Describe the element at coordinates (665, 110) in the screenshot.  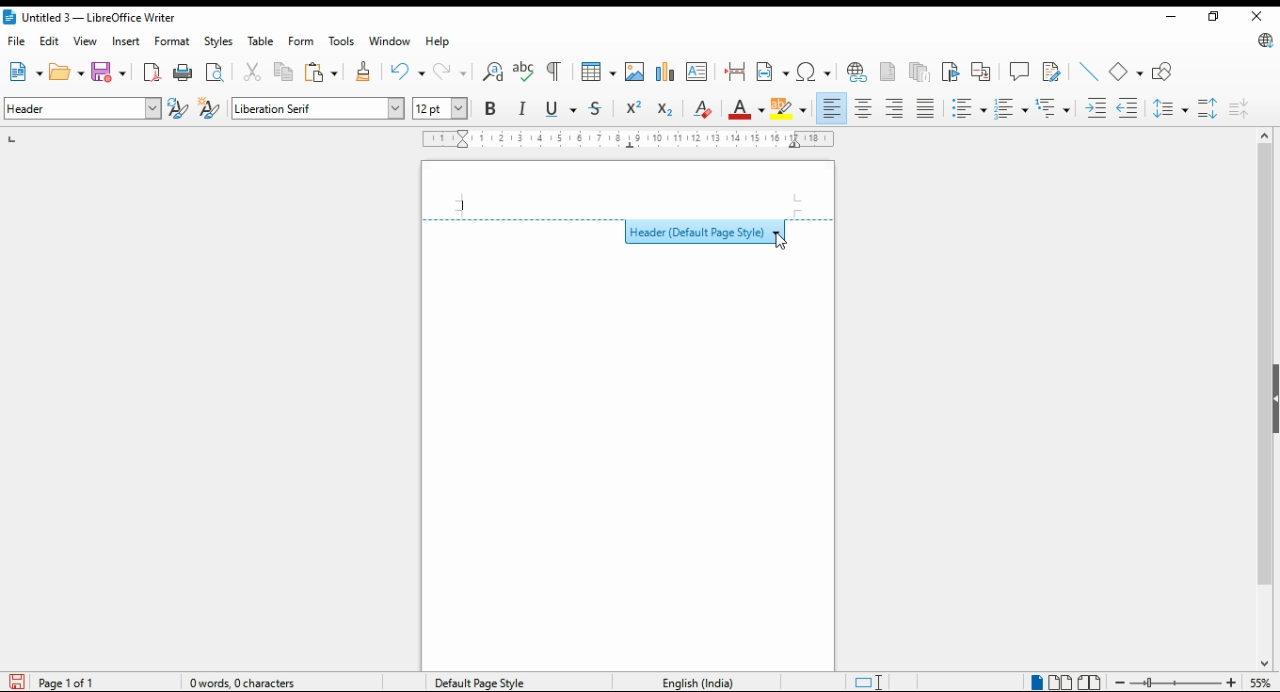
I see `subscript` at that location.